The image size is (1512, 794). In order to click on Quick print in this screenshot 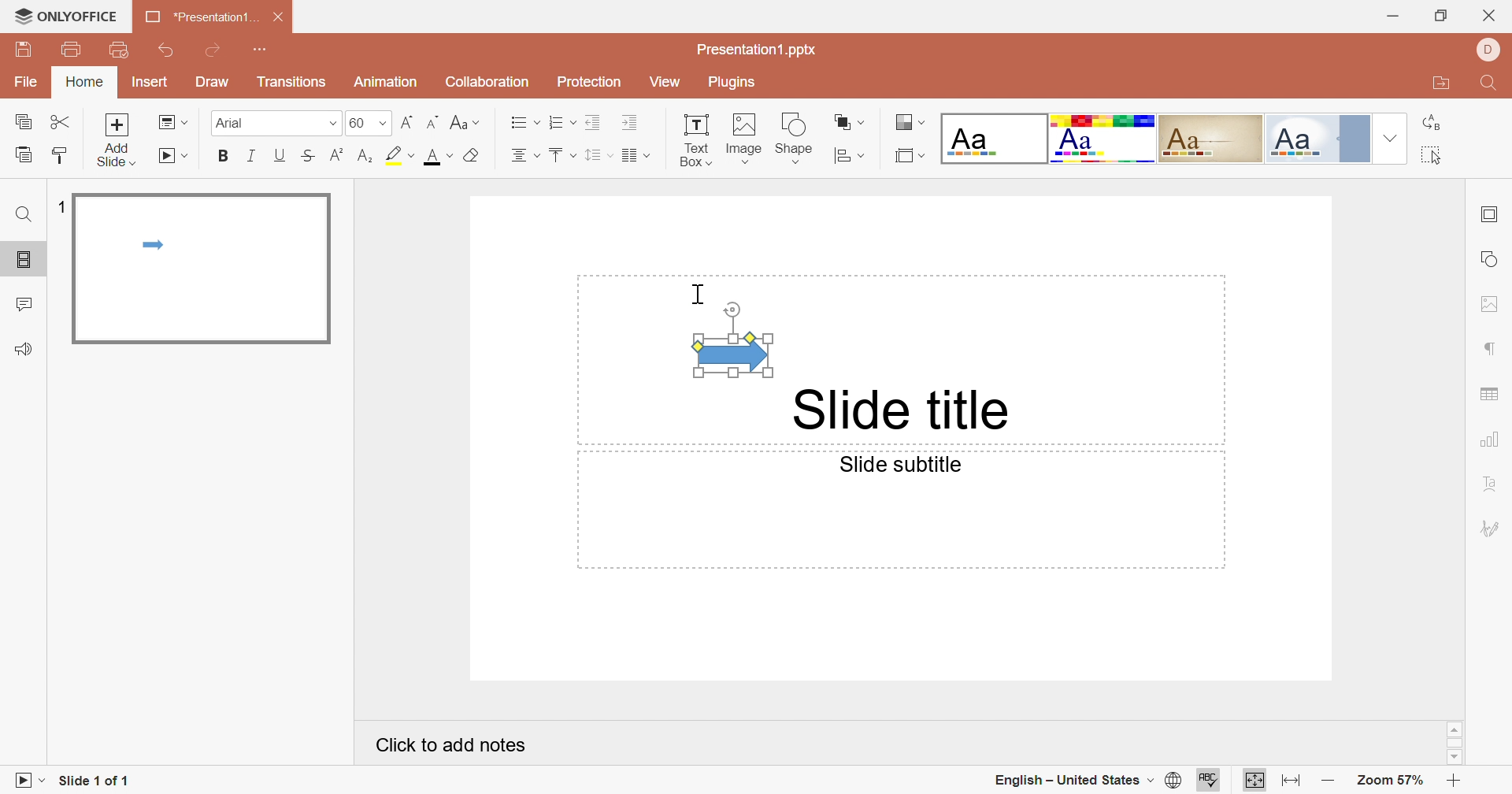, I will do `click(121, 50)`.